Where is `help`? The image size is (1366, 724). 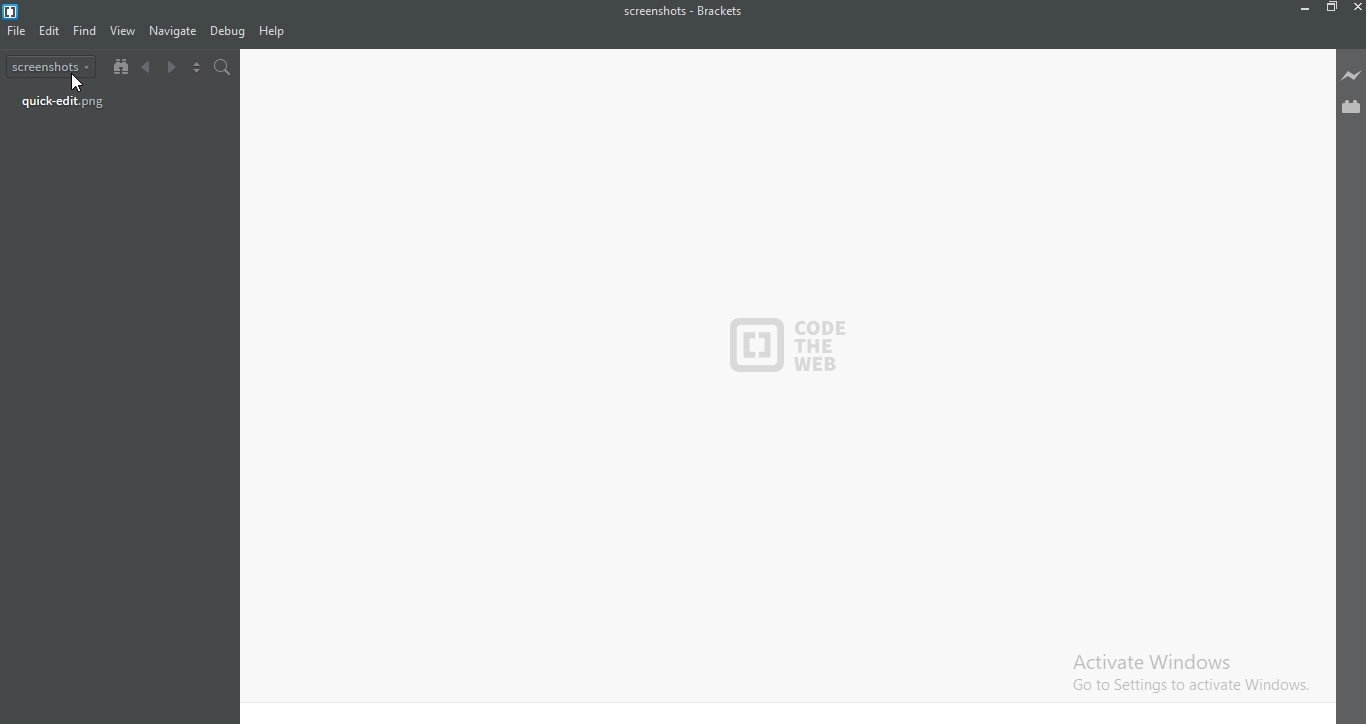
help is located at coordinates (271, 31).